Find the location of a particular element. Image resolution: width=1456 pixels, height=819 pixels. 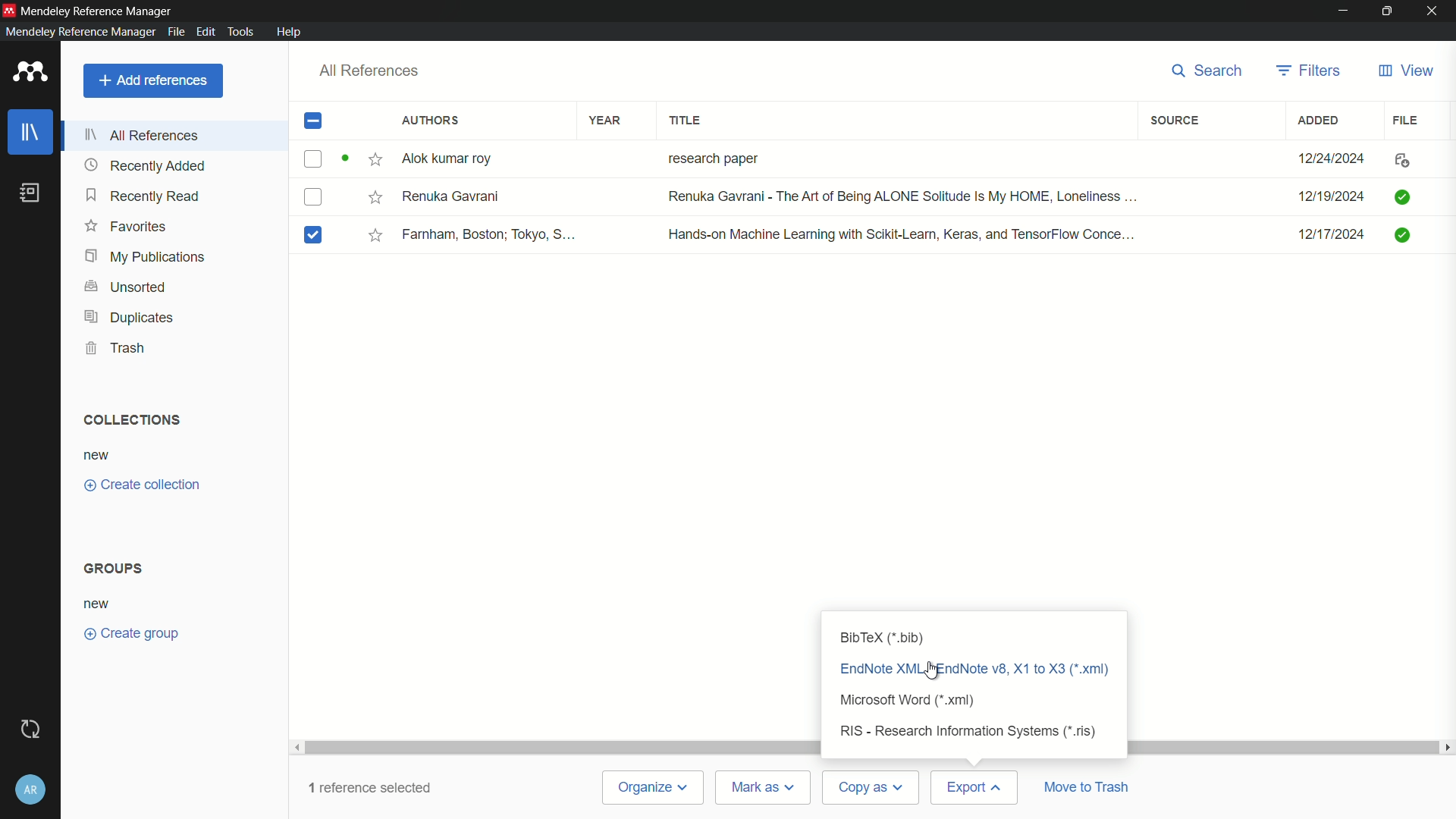

star is located at coordinates (375, 162).